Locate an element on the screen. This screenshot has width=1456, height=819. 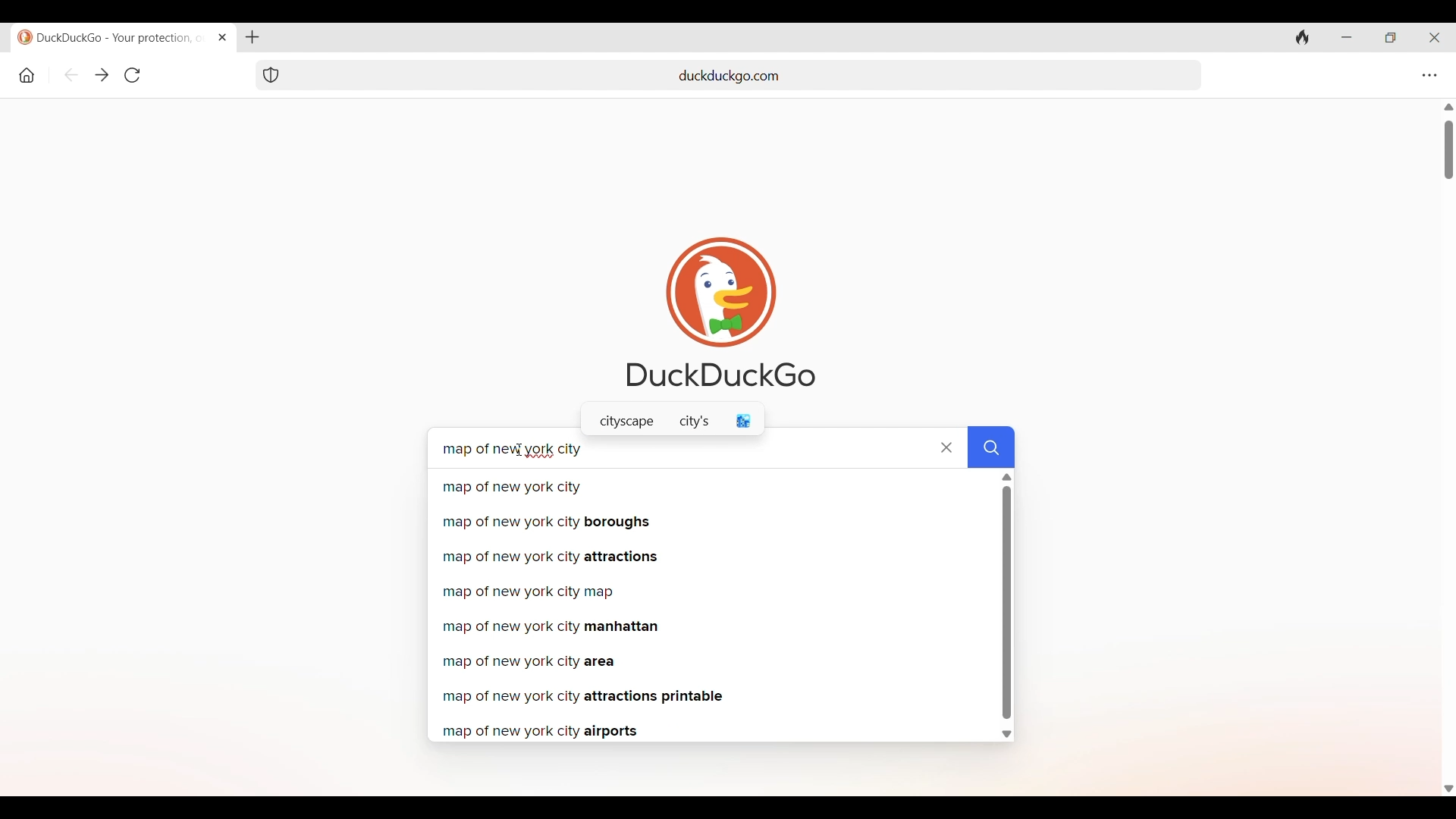
Quick slide to bottom is located at coordinates (1006, 735).